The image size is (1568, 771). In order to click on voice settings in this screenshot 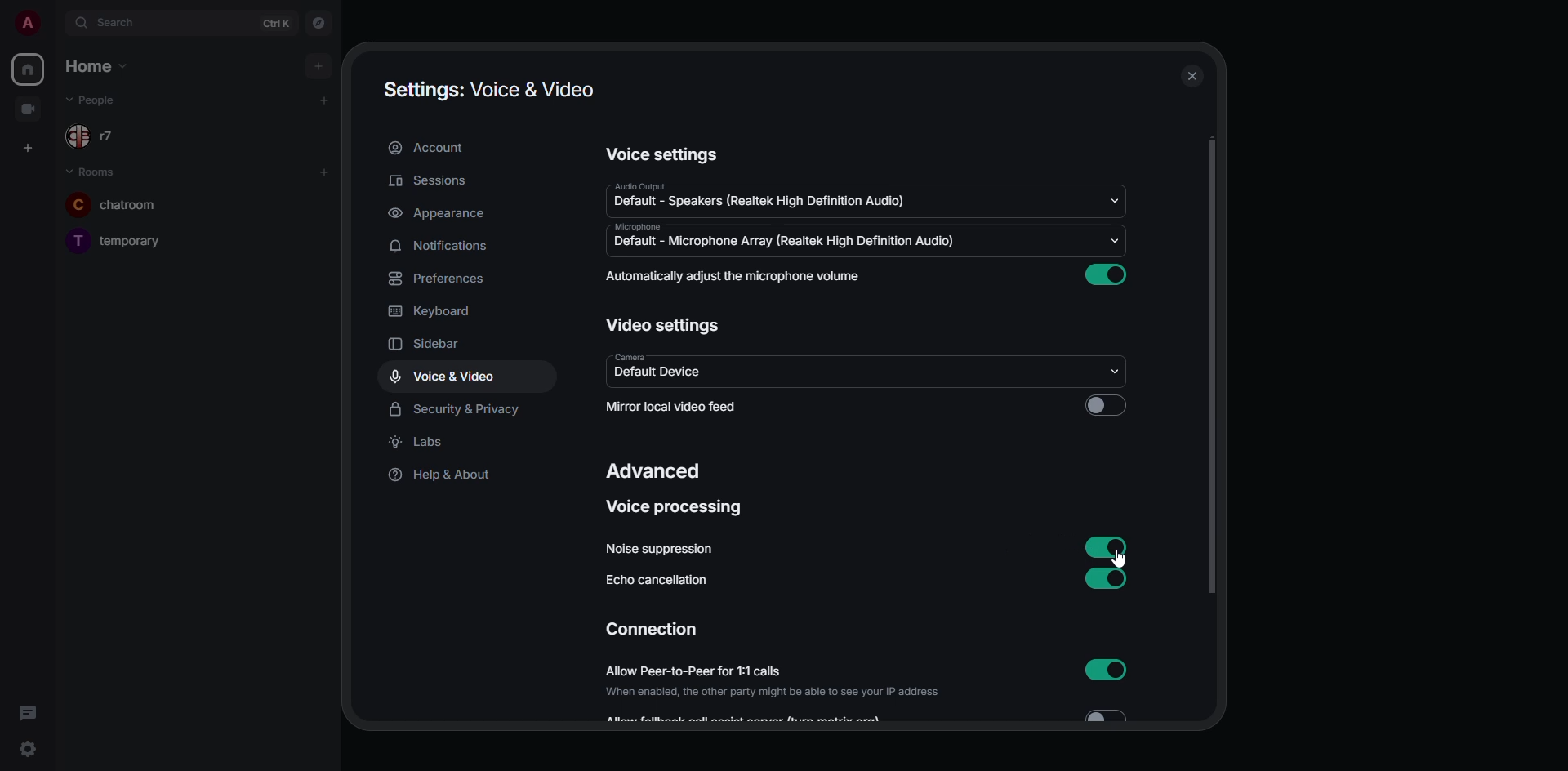, I will do `click(661, 155)`.